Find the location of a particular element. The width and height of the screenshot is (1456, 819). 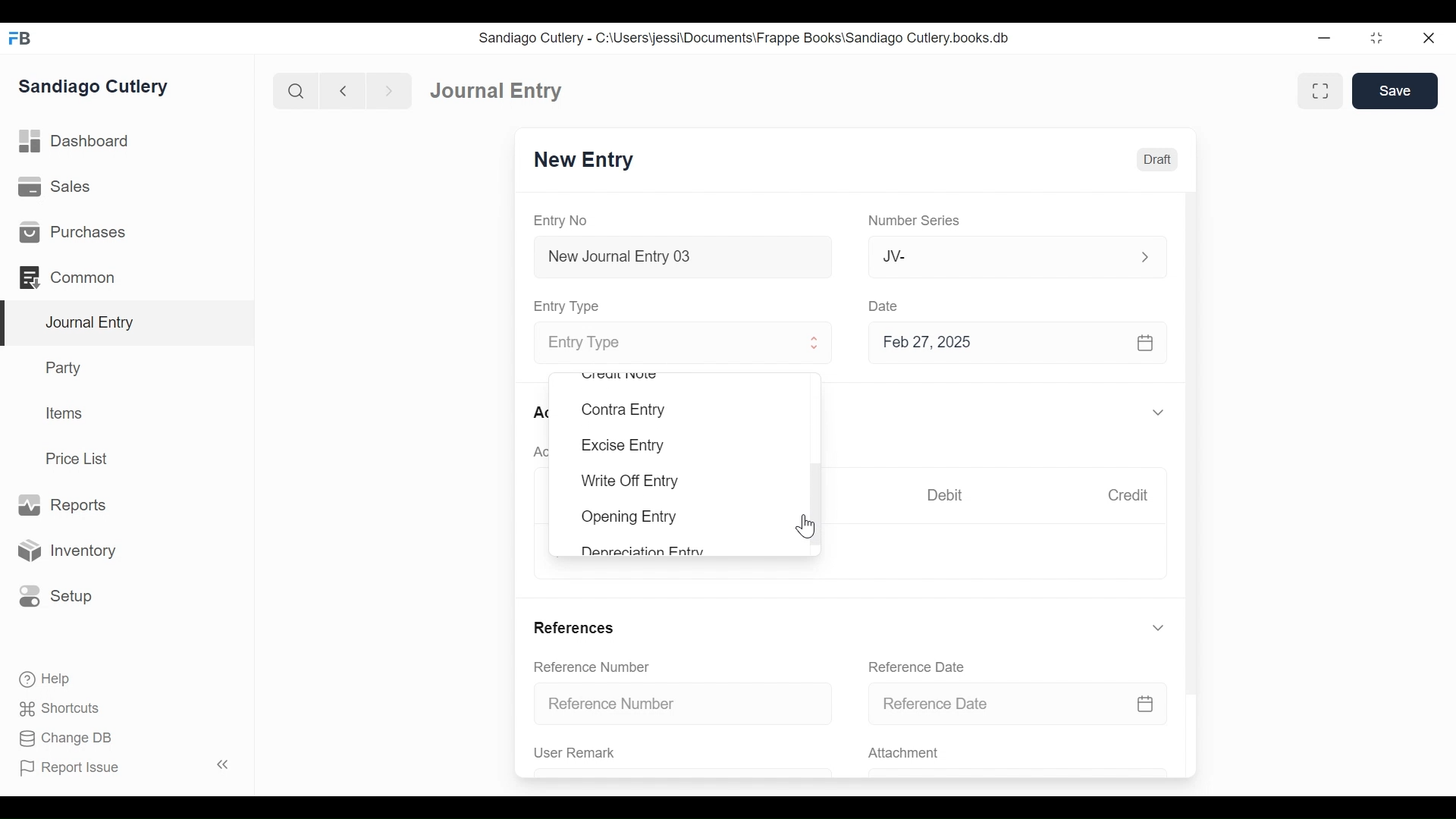

Sales is located at coordinates (55, 186).